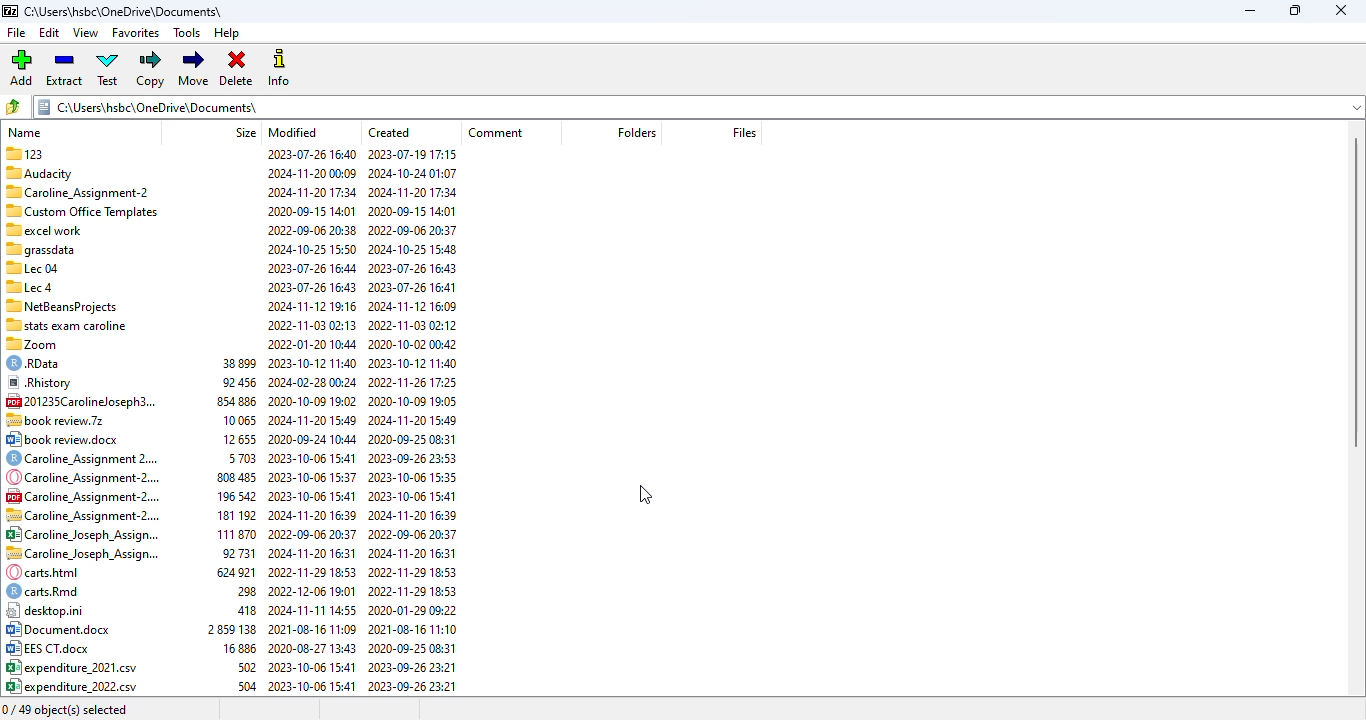 This screenshot has height=720, width=1366. Describe the element at coordinates (62, 307) in the screenshot. I see `7 NetBeansProjects` at that location.